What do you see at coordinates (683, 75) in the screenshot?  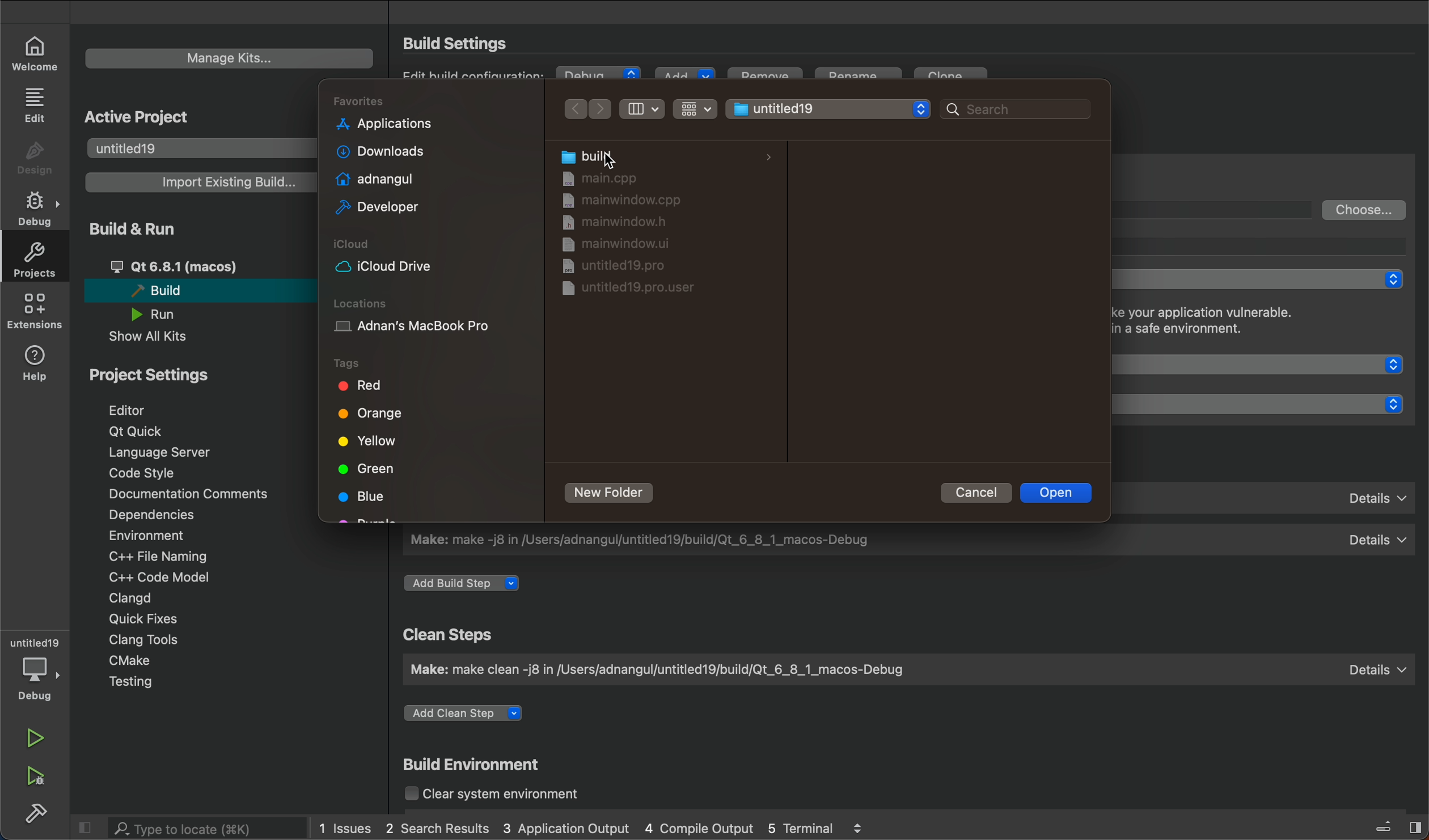 I see `add` at bounding box center [683, 75].